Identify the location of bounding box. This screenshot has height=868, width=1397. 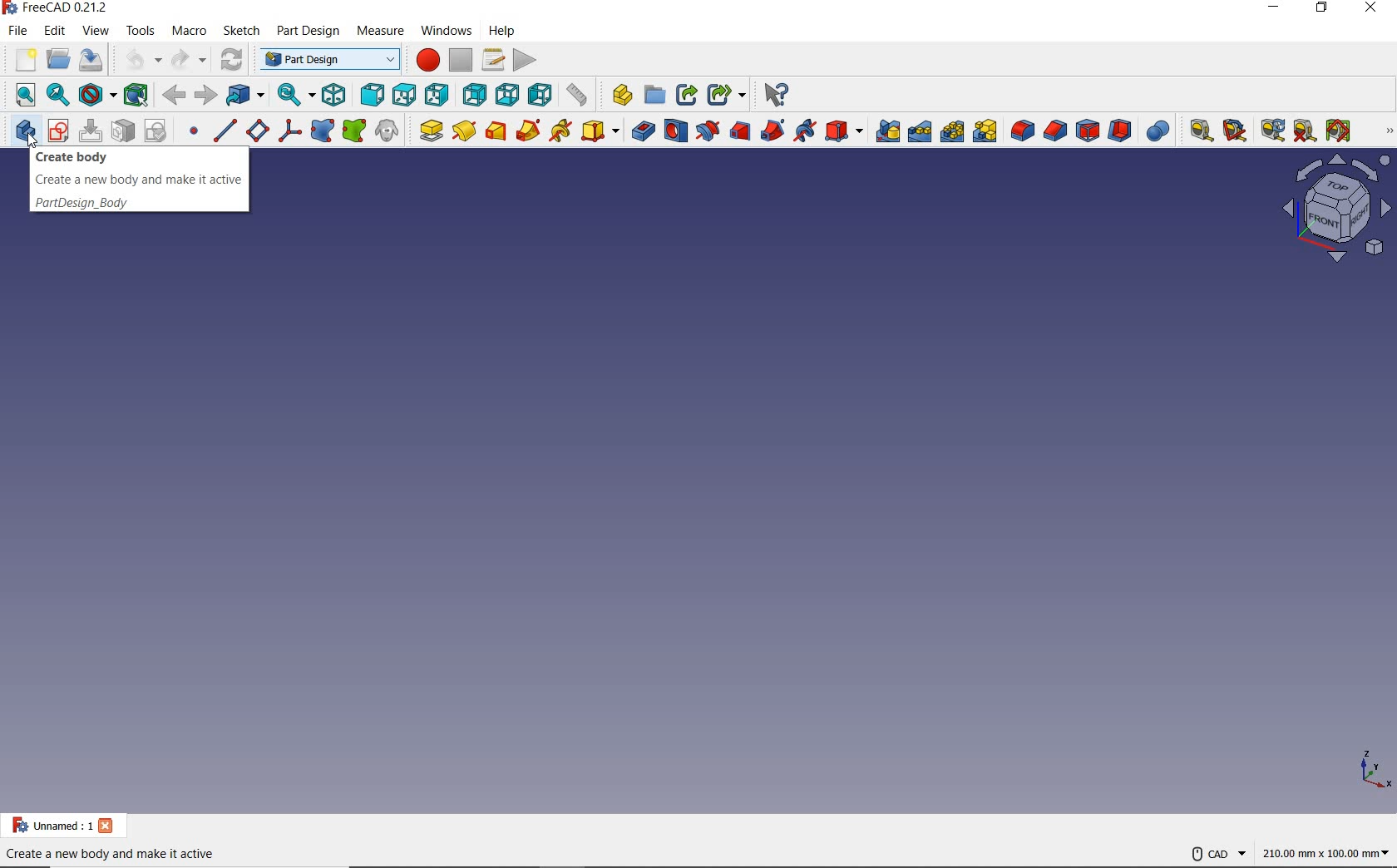
(138, 96).